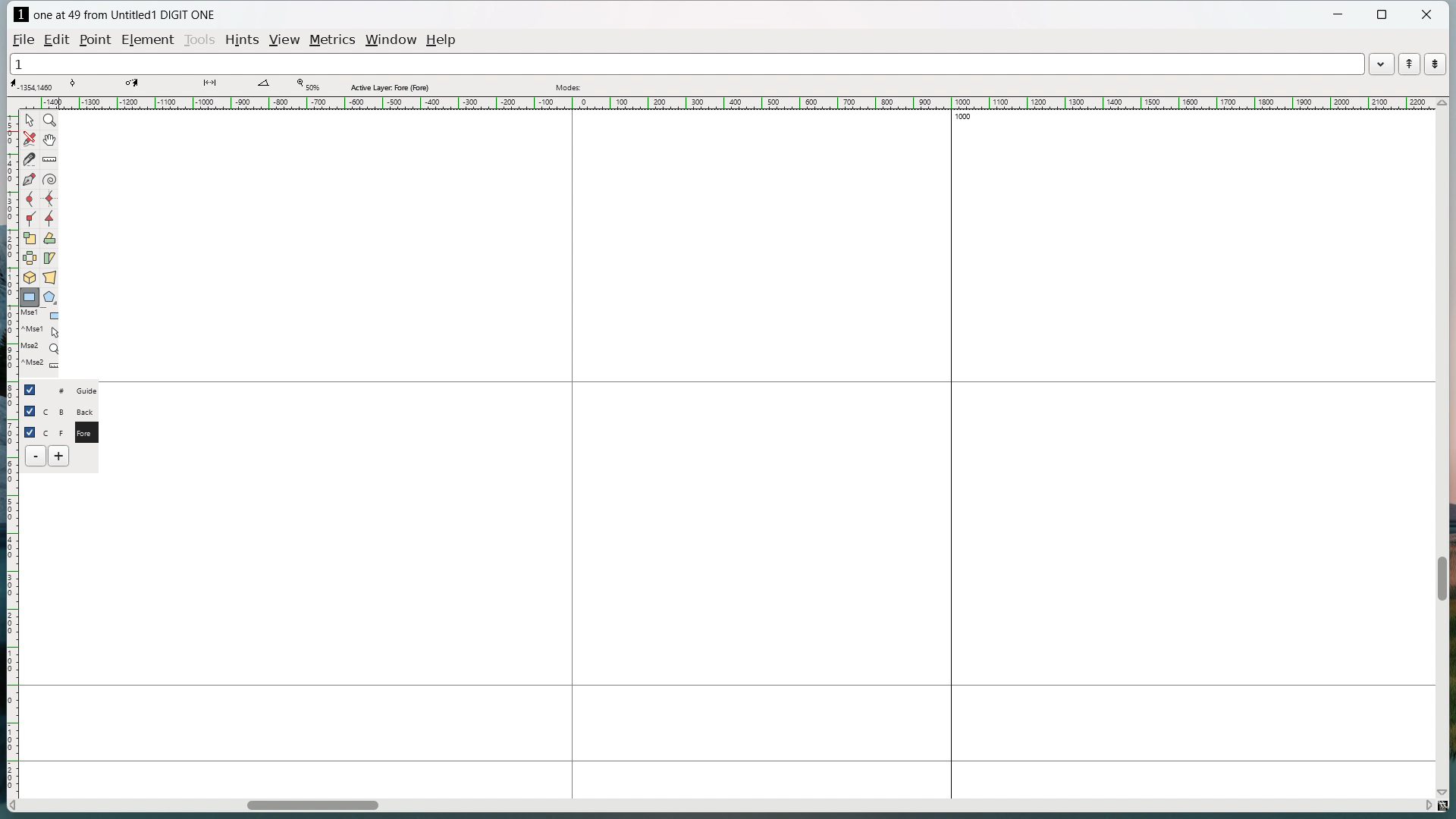 This screenshot has height=819, width=1456. Describe the element at coordinates (30, 237) in the screenshot. I see `scale` at that location.